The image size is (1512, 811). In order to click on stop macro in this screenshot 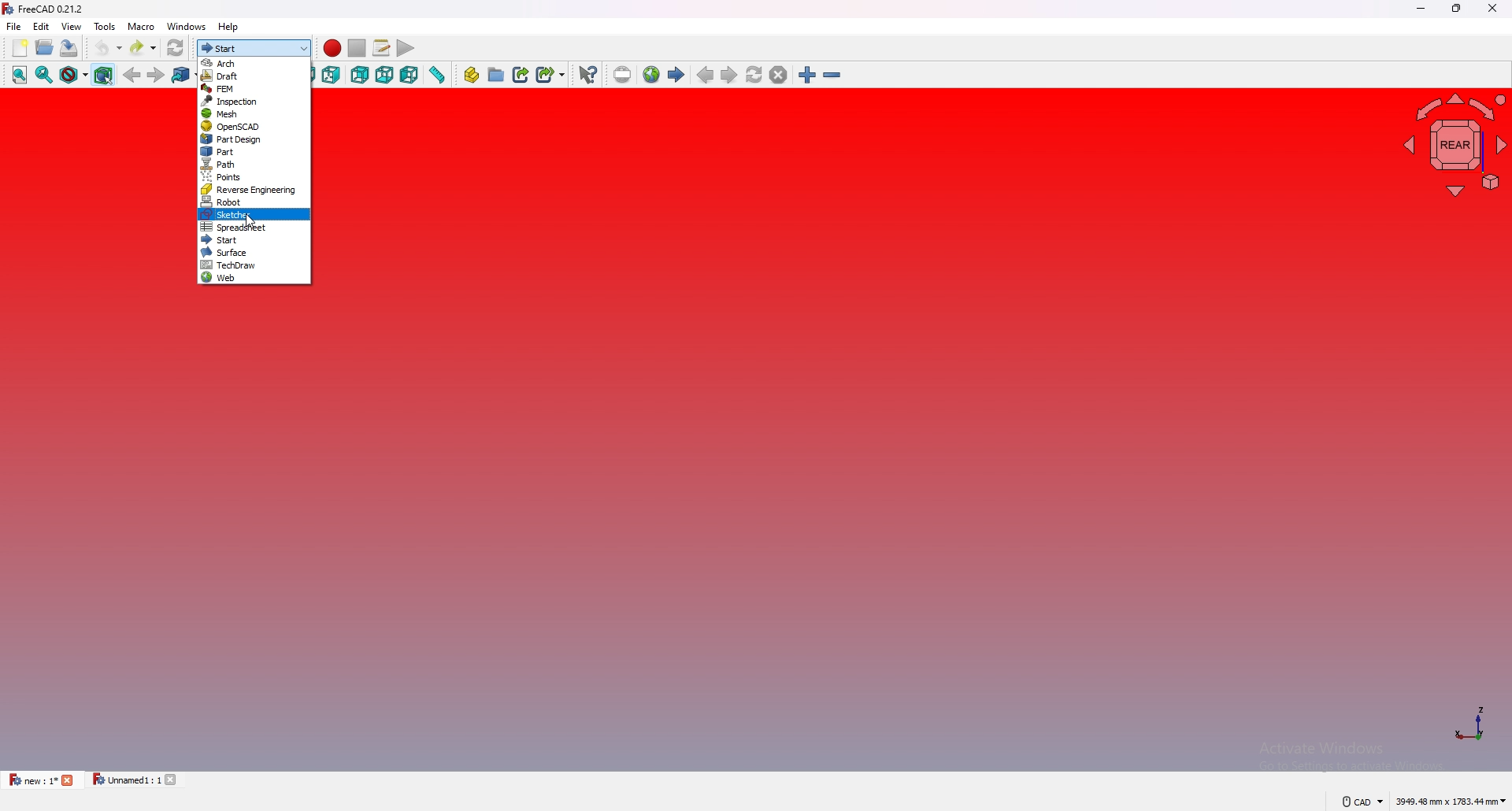, I will do `click(358, 48)`.